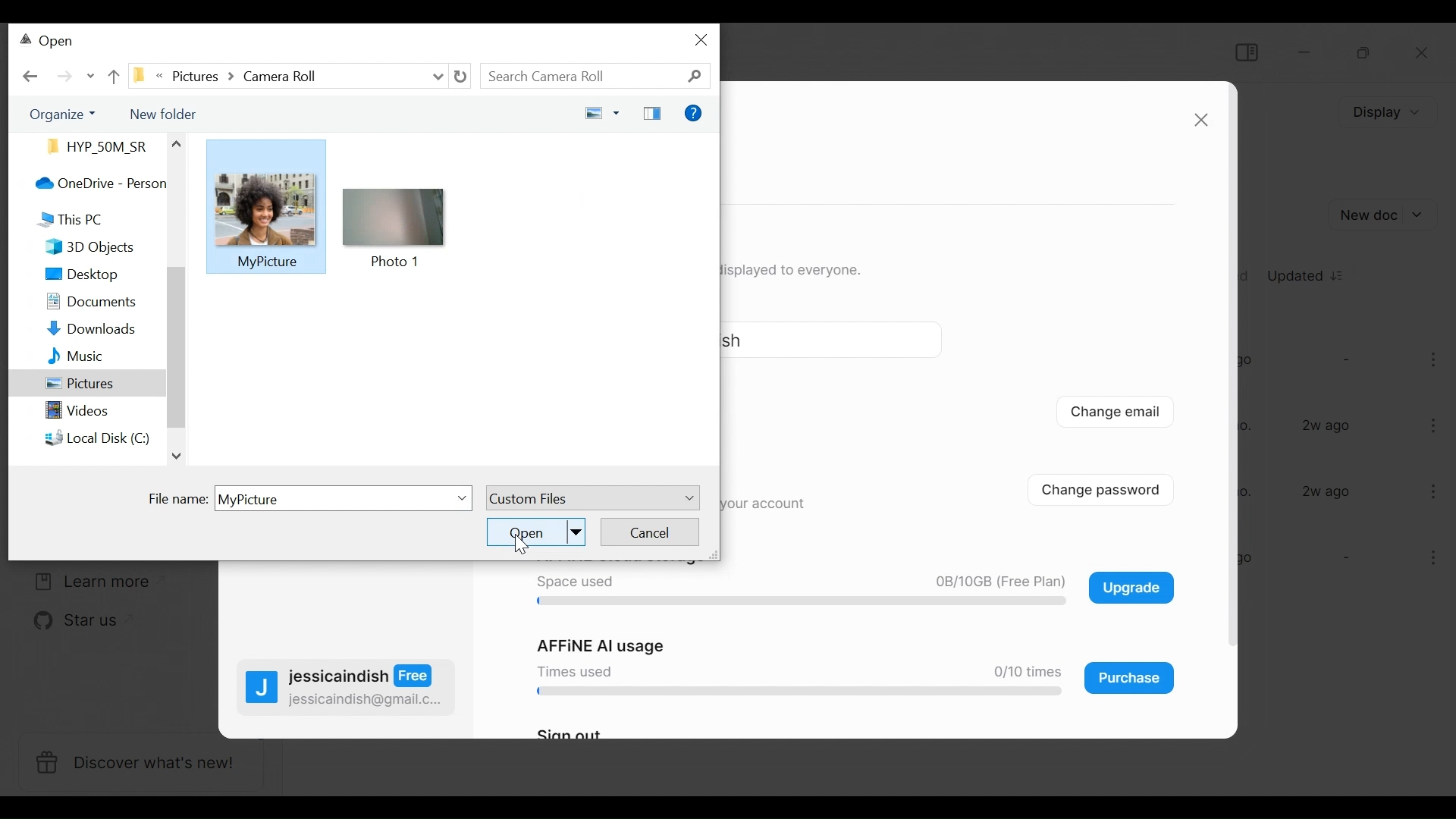 The image size is (1456, 819). What do you see at coordinates (262, 690) in the screenshot?
I see `profile` at bounding box center [262, 690].